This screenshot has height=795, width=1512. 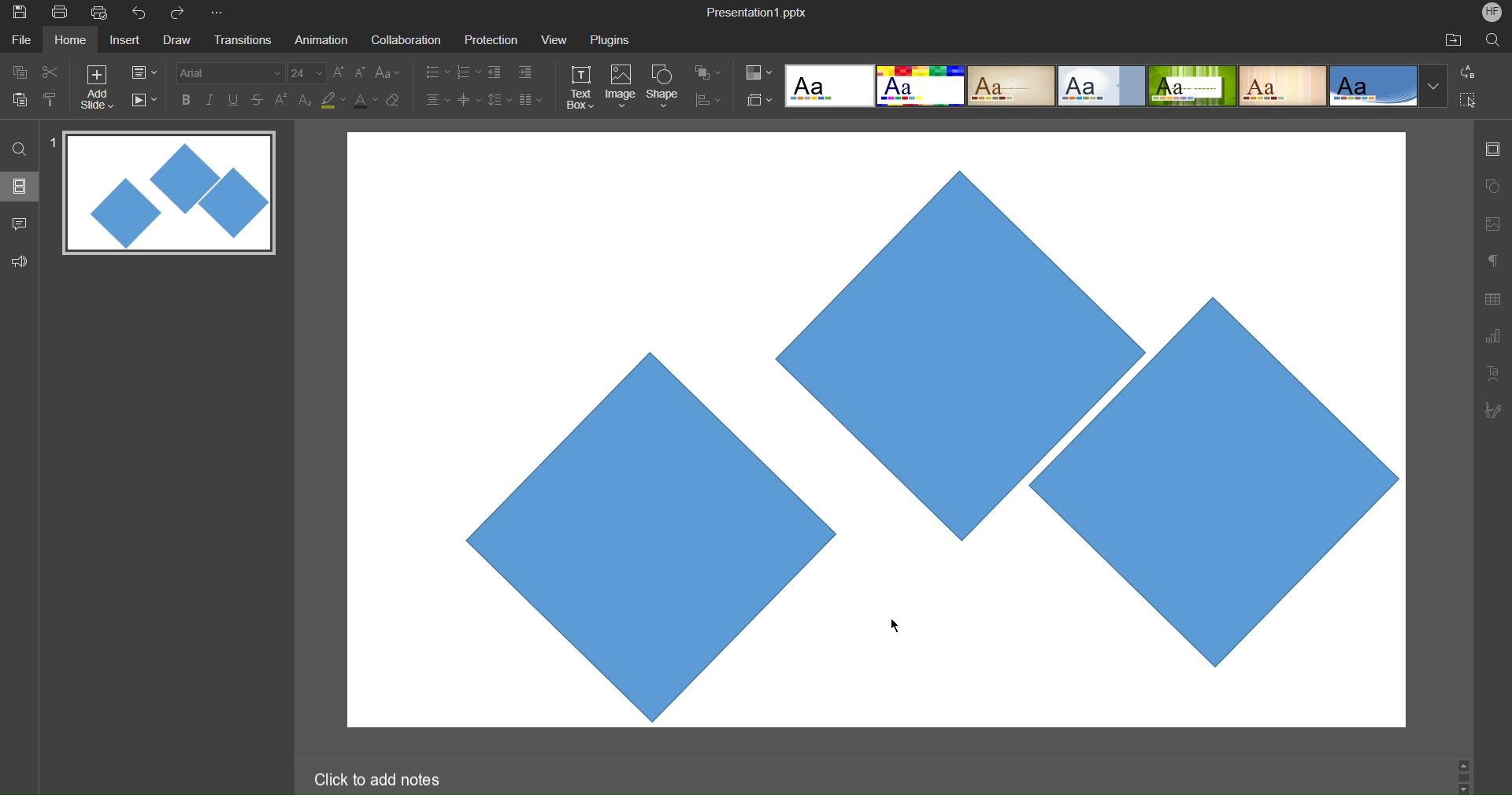 I want to click on Font Case Settings, so click(x=388, y=72).